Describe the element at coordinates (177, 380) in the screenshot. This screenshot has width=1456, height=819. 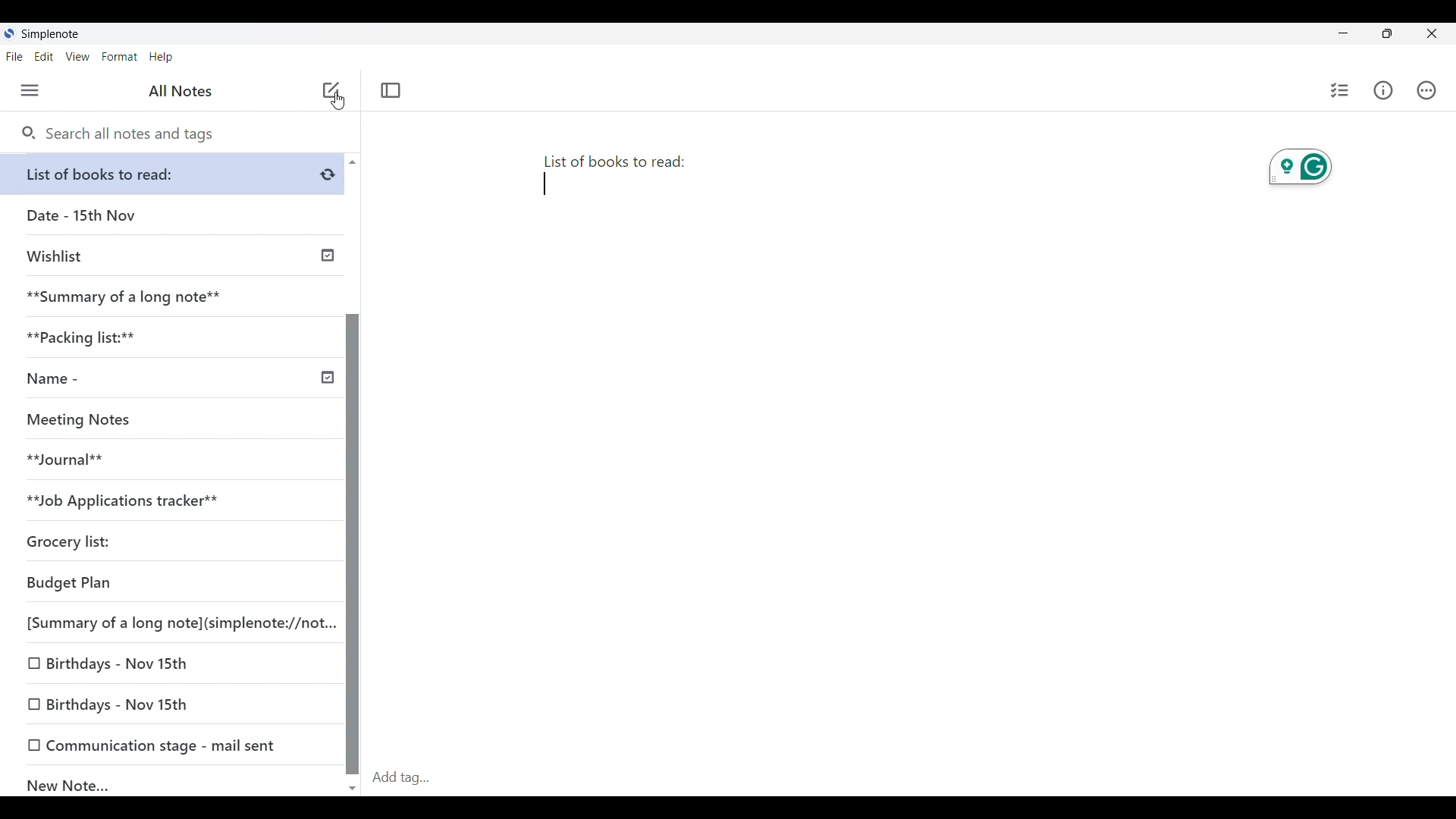
I see `Name -` at that location.